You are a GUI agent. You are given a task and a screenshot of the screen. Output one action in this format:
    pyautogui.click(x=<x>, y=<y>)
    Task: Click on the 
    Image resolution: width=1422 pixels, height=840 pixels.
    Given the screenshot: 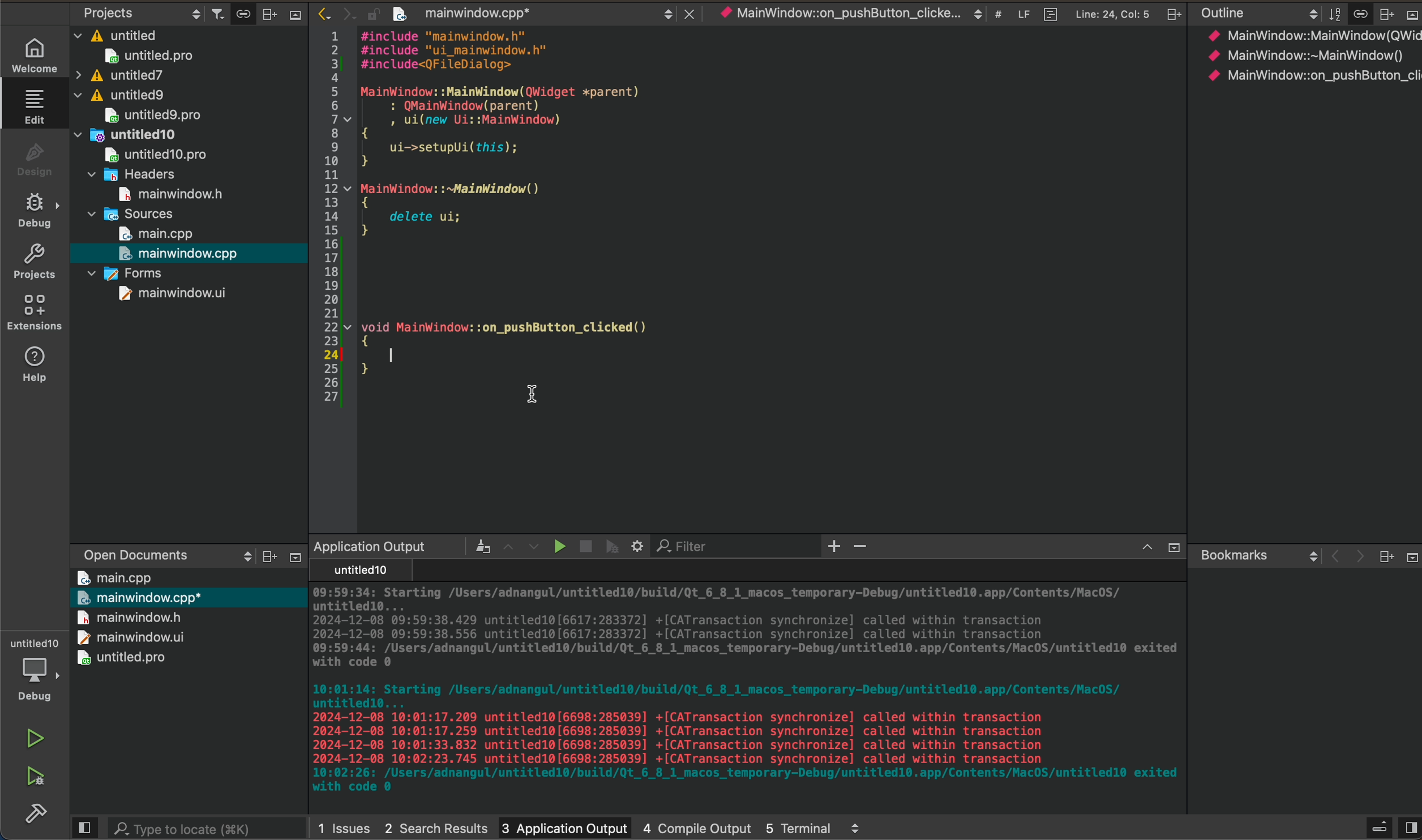 What is the action you would take?
    pyautogui.click(x=1385, y=13)
    